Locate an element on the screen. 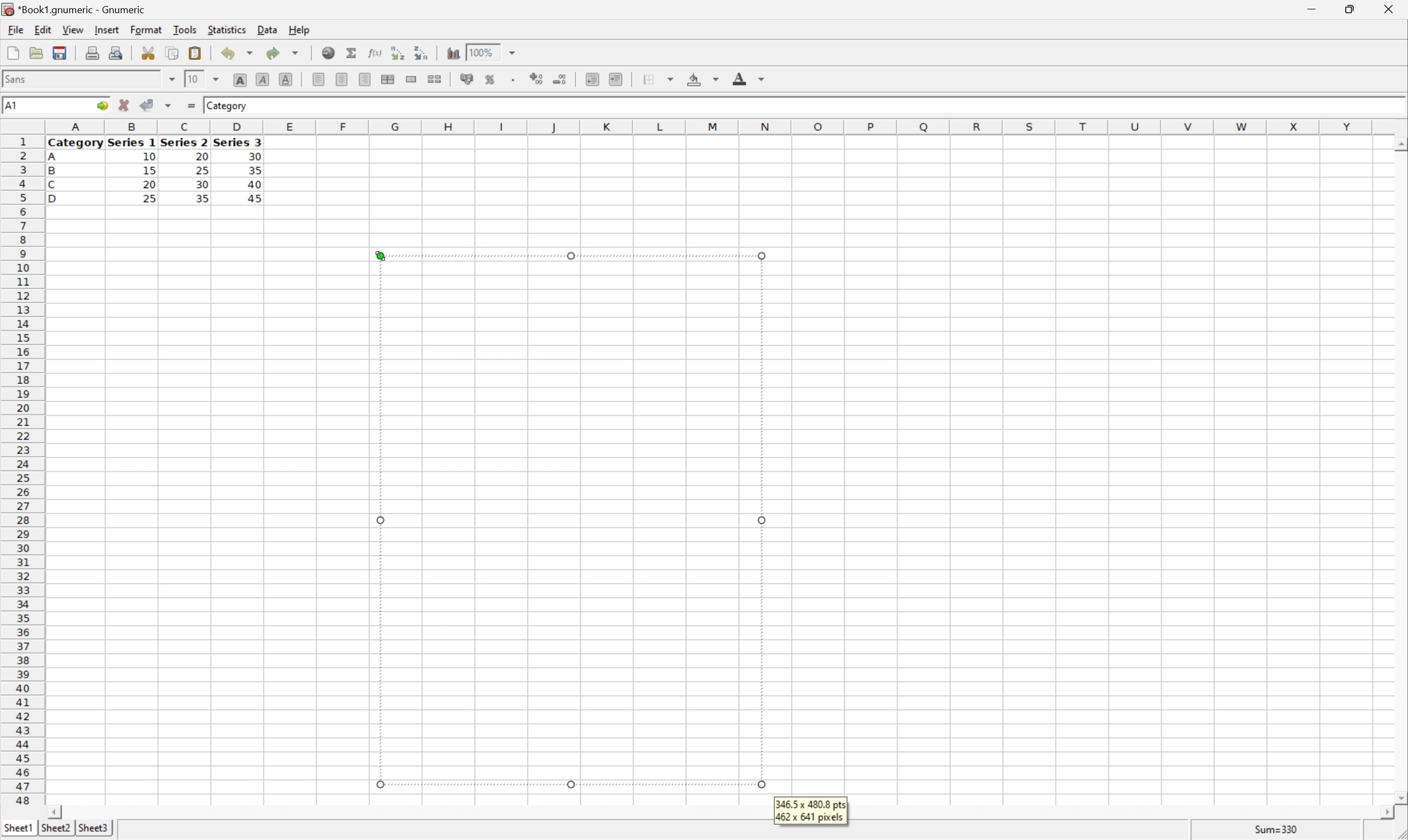  C is located at coordinates (52, 186).